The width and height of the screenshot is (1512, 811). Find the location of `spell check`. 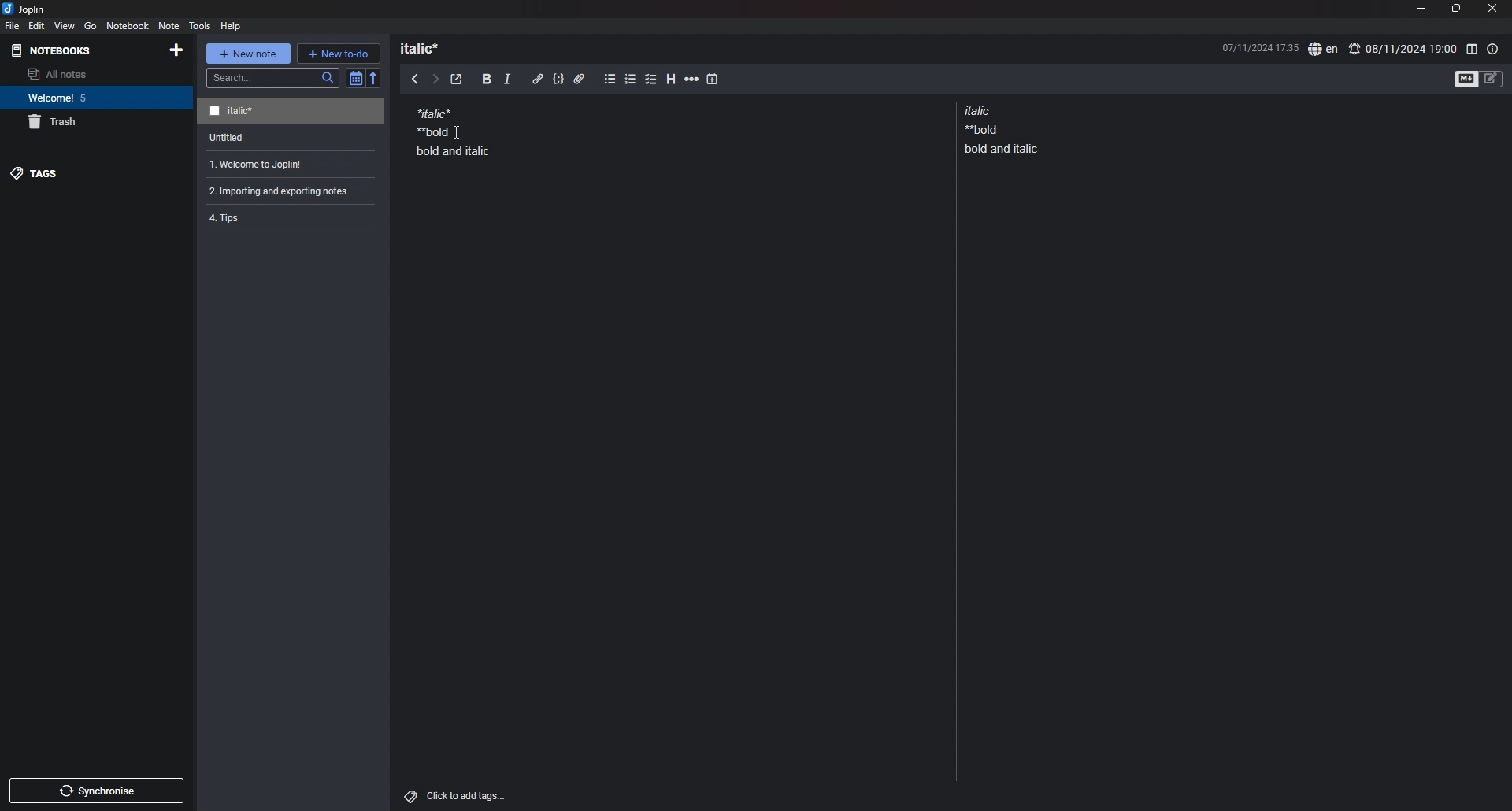

spell check is located at coordinates (1323, 50).